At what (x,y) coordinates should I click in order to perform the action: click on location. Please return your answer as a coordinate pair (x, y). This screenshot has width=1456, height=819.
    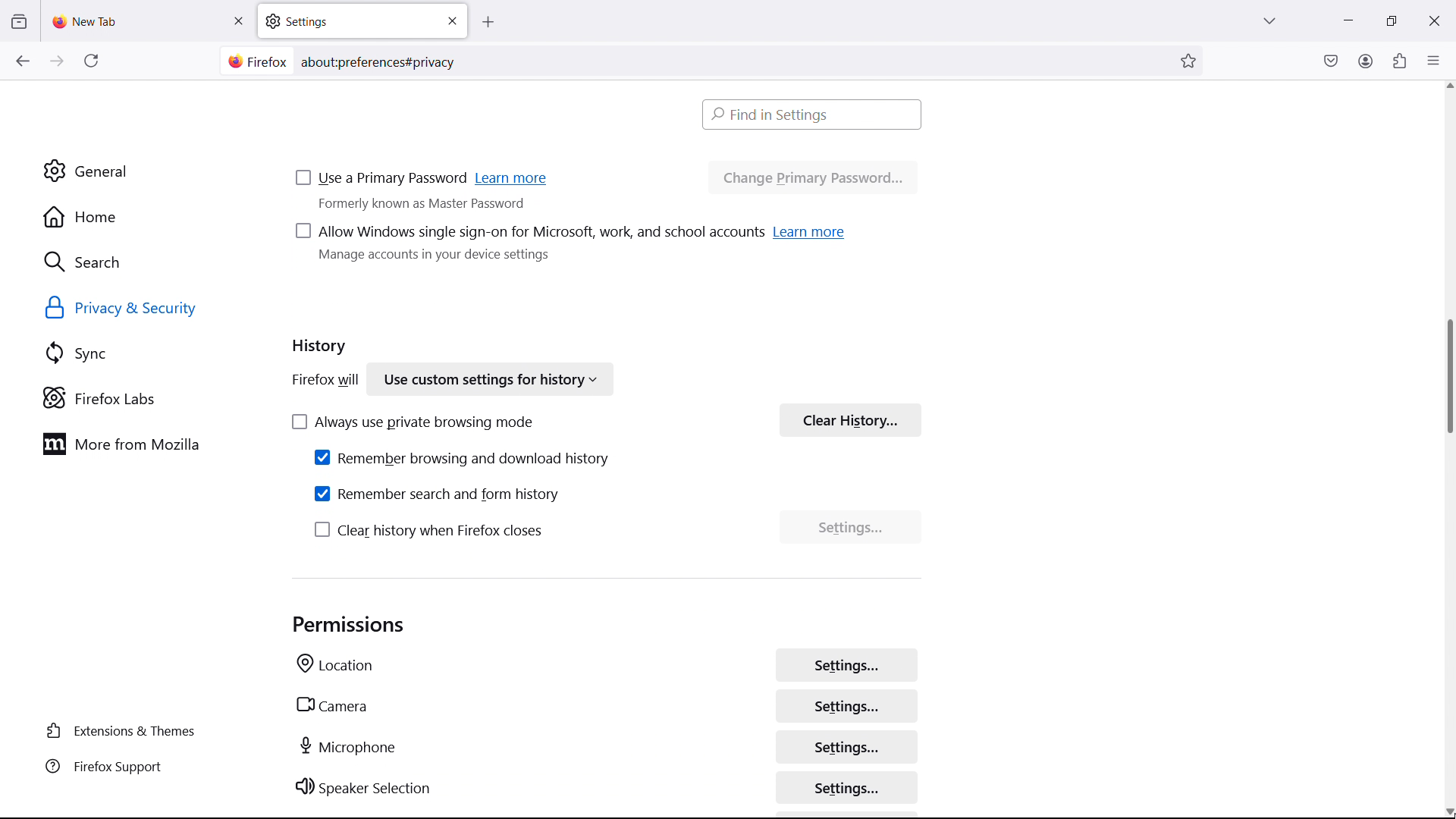
    Looking at the image, I should click on (335, 664).